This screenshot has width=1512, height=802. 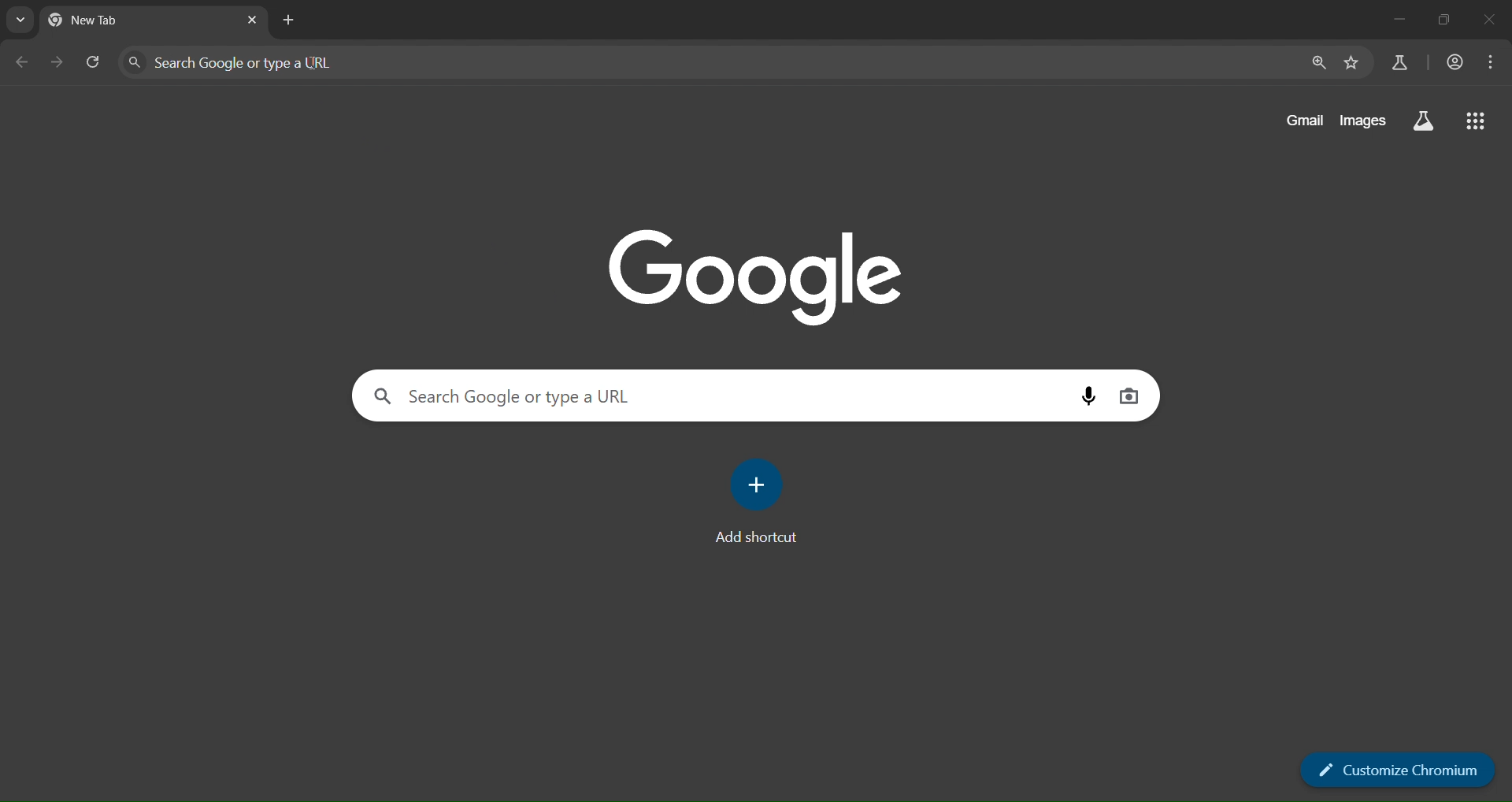 I want to click on voice search, so click(x=1131, y=398).